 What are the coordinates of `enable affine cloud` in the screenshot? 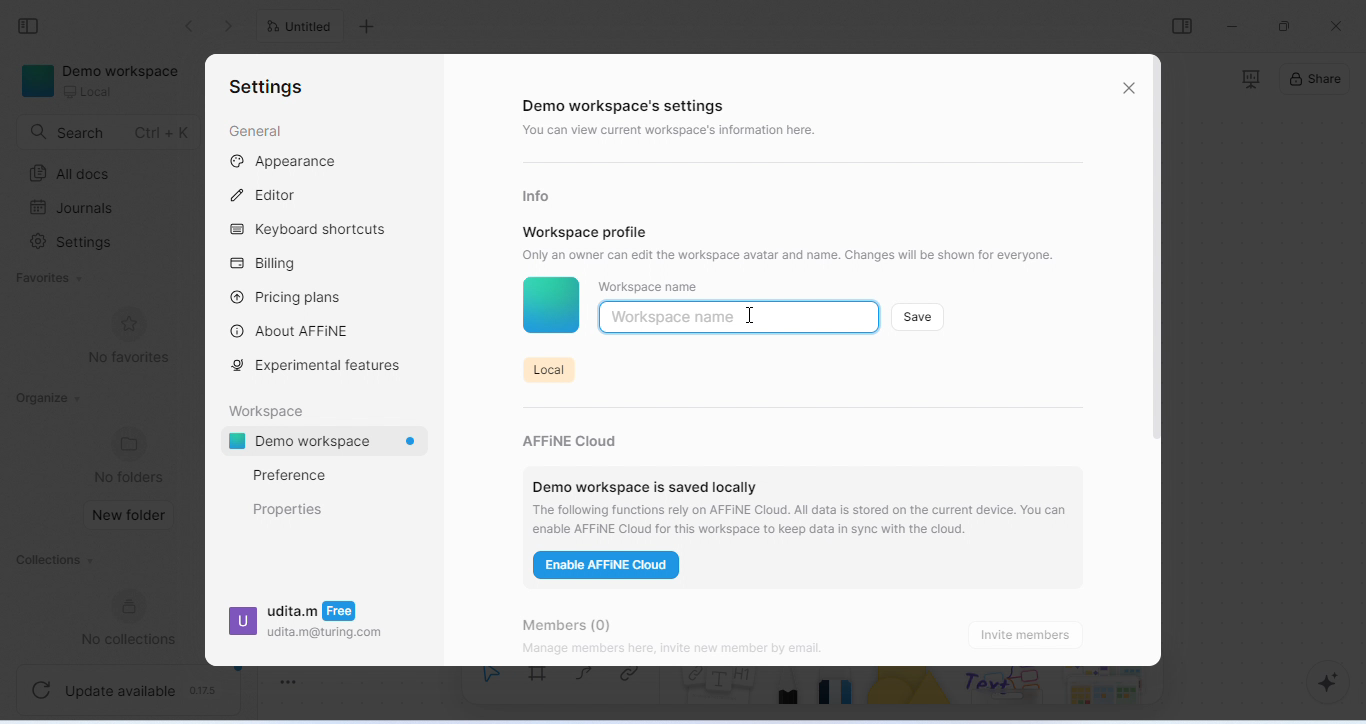 It's located at (609, 568).